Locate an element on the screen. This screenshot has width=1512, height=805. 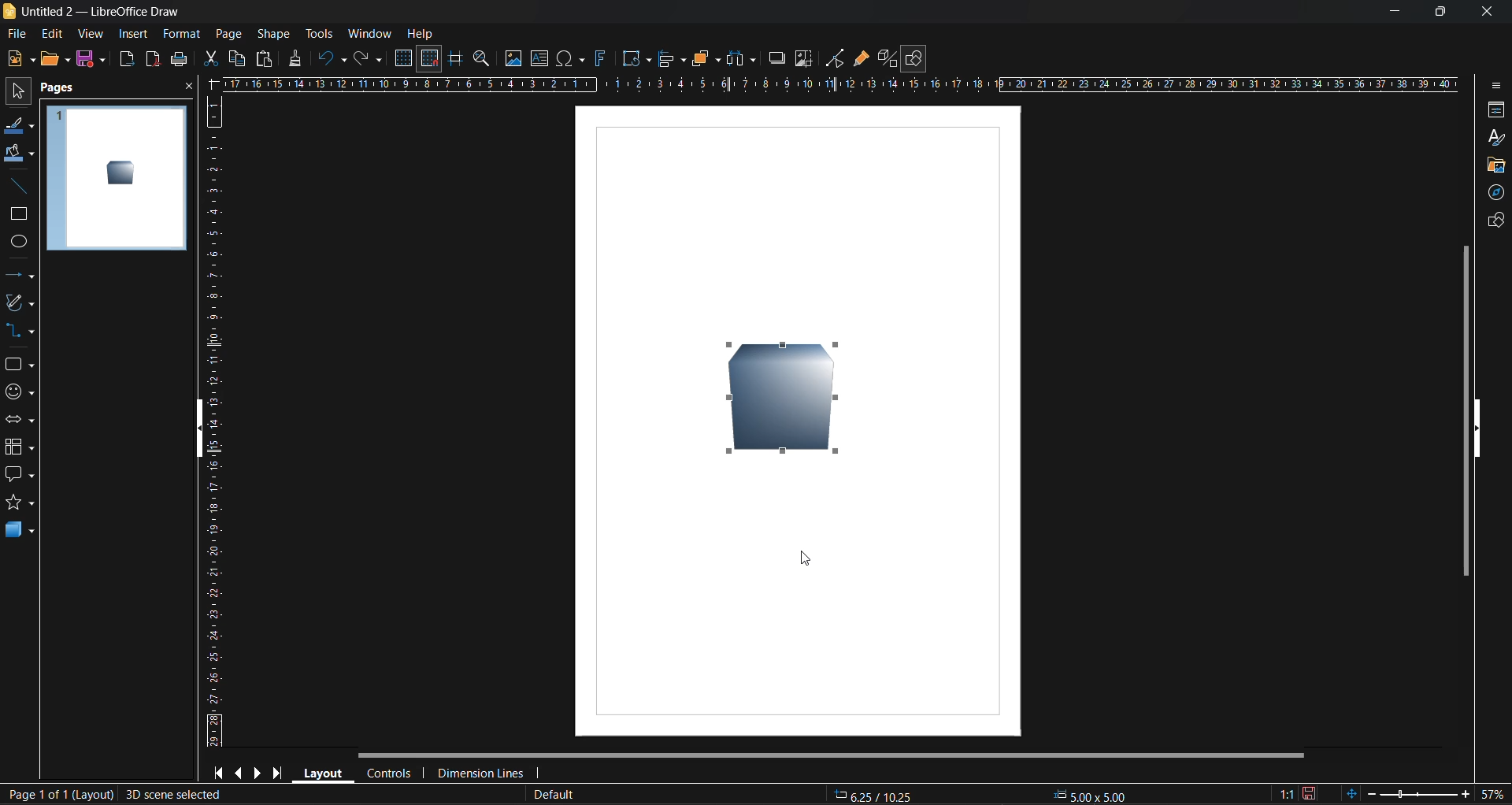
format is located at coordinates (183, 35).